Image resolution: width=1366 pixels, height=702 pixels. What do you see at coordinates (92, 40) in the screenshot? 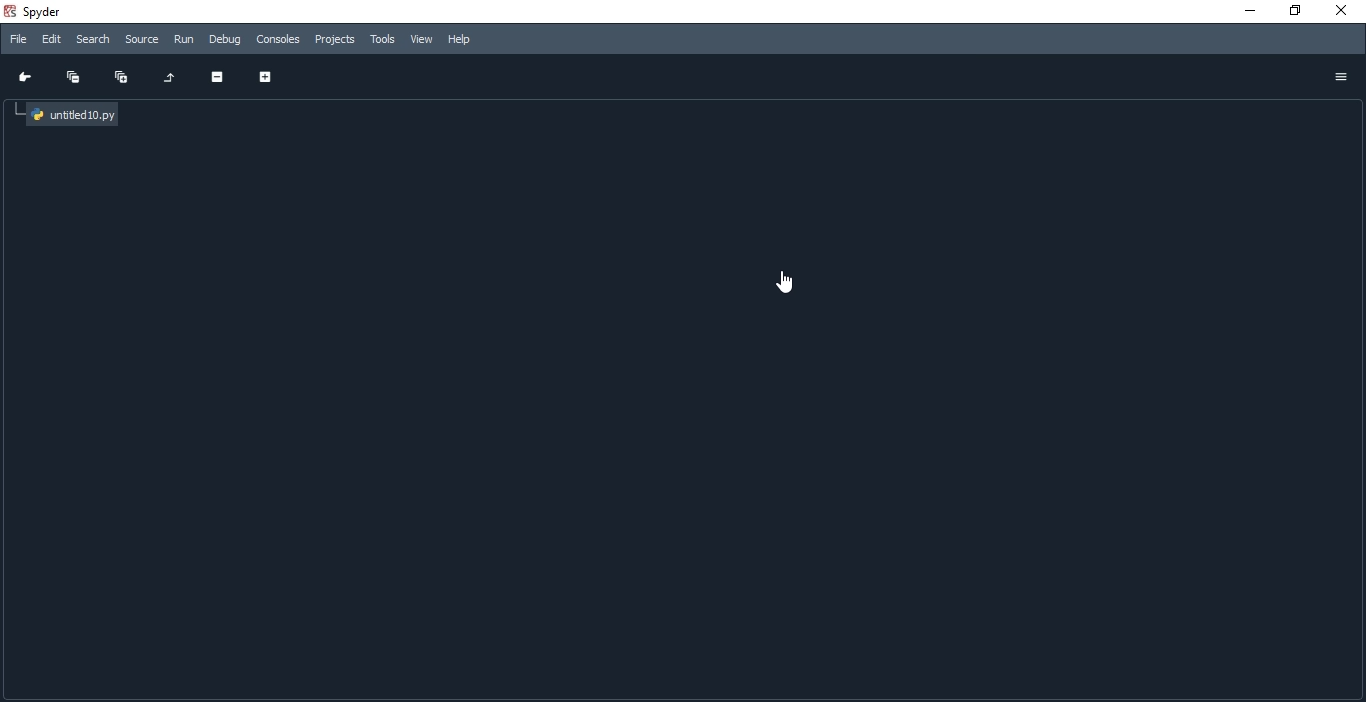
I see `Search` at bounding box center [92, 40].